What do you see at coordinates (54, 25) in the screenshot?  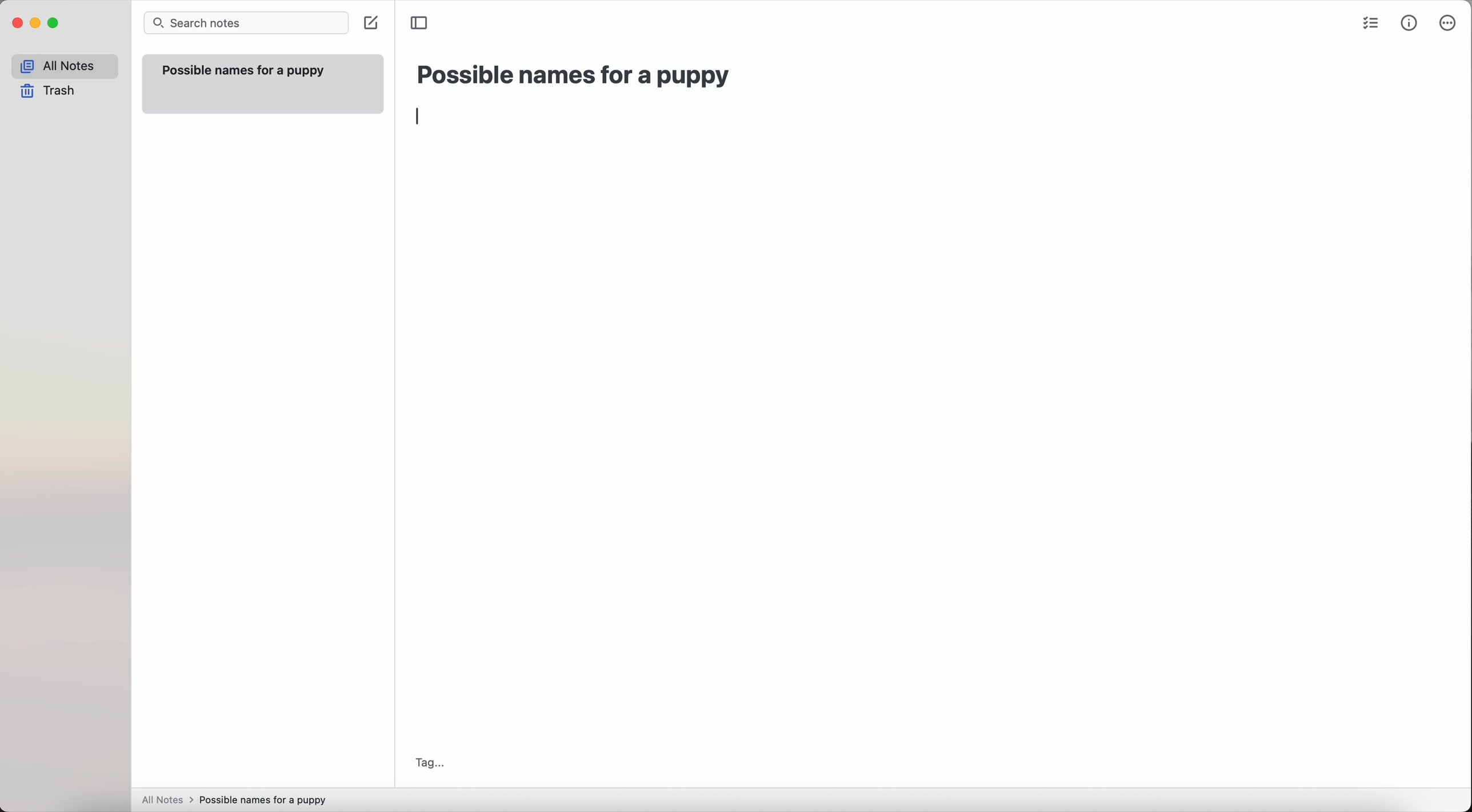 I see `maximize` at bounding box center [54, 25].